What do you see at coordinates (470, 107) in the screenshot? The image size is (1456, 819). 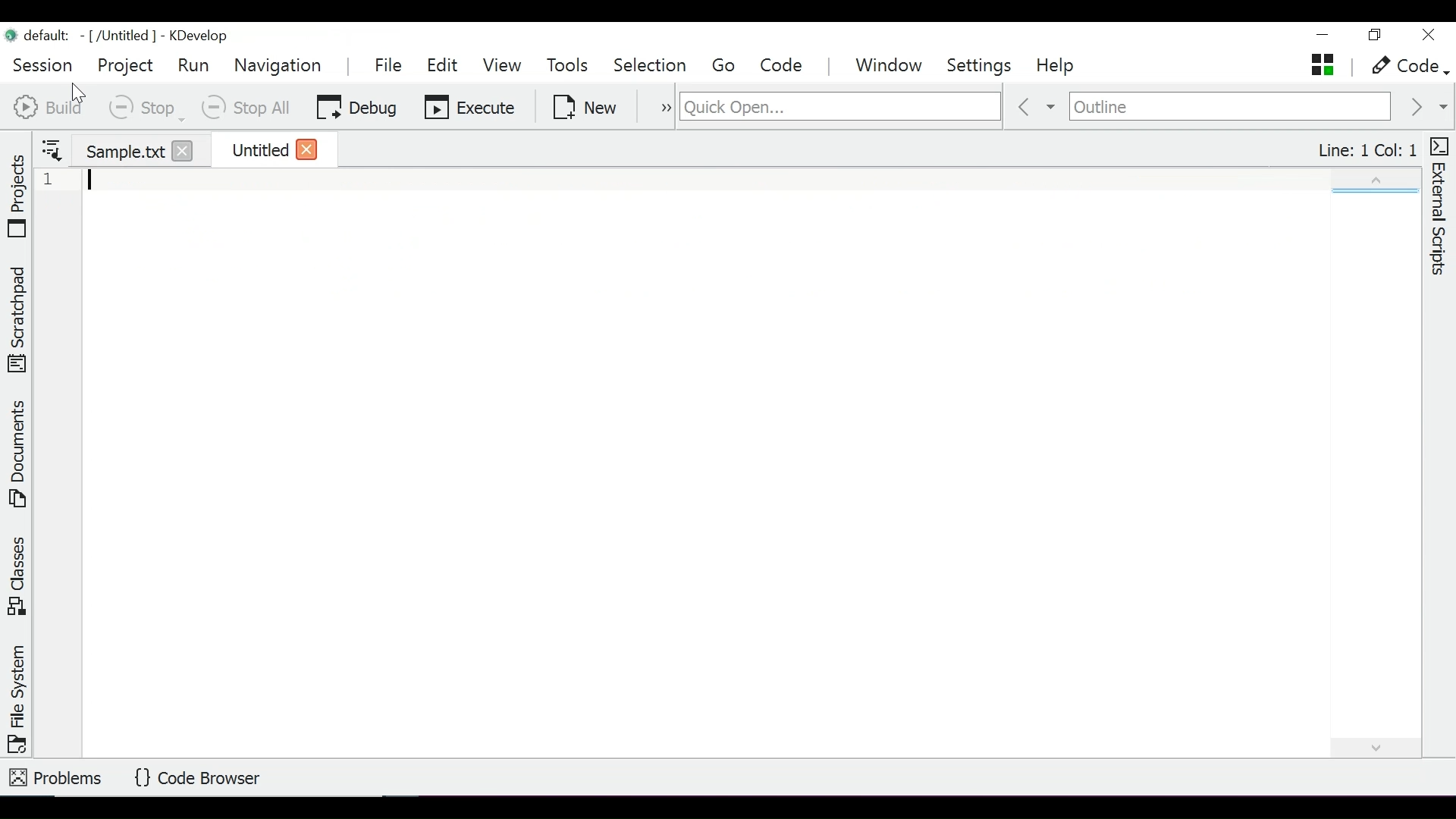 I see `Execute` at bounding box center [470, 107].